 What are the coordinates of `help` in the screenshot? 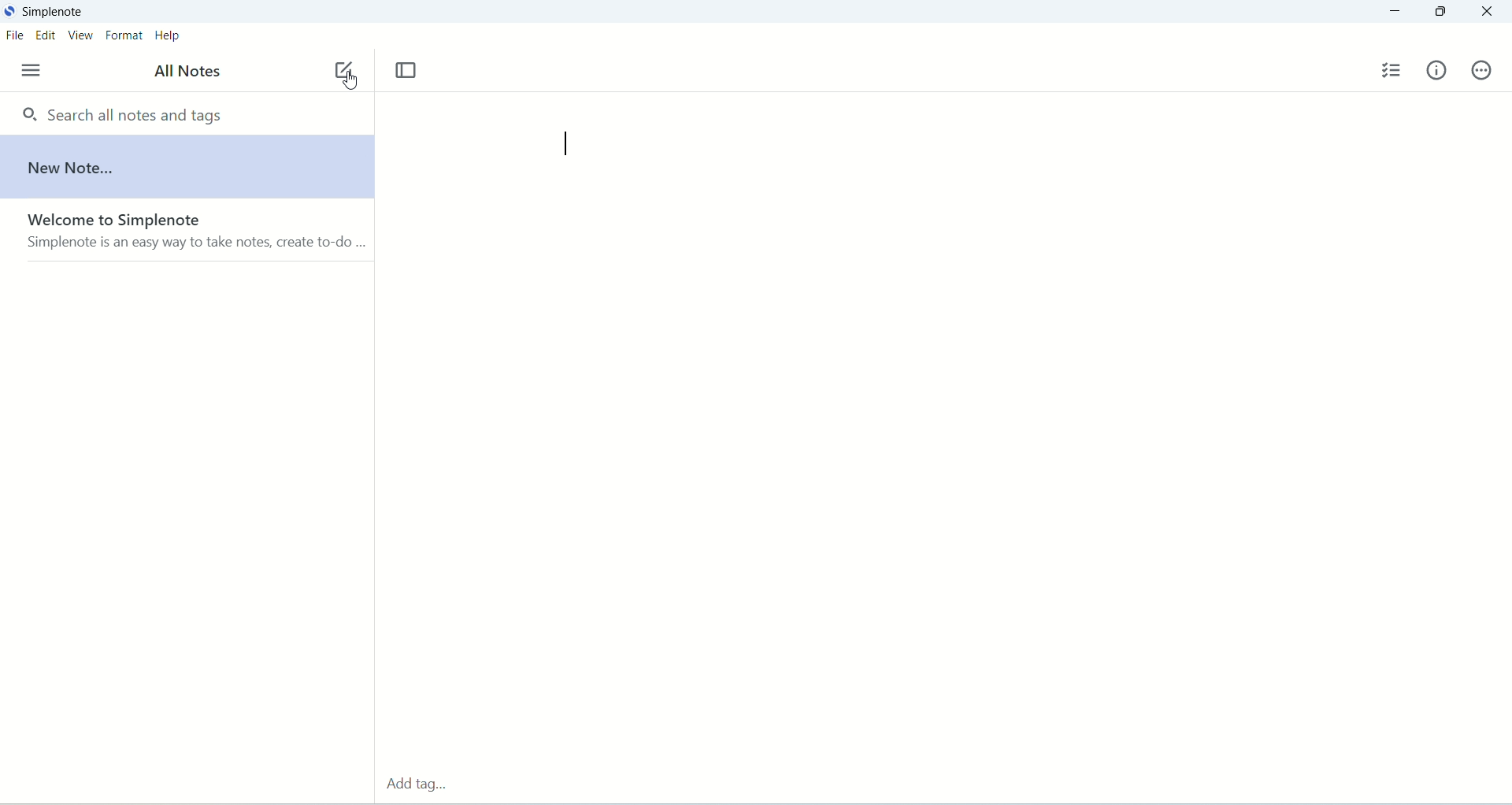 It's located at (171, 37).